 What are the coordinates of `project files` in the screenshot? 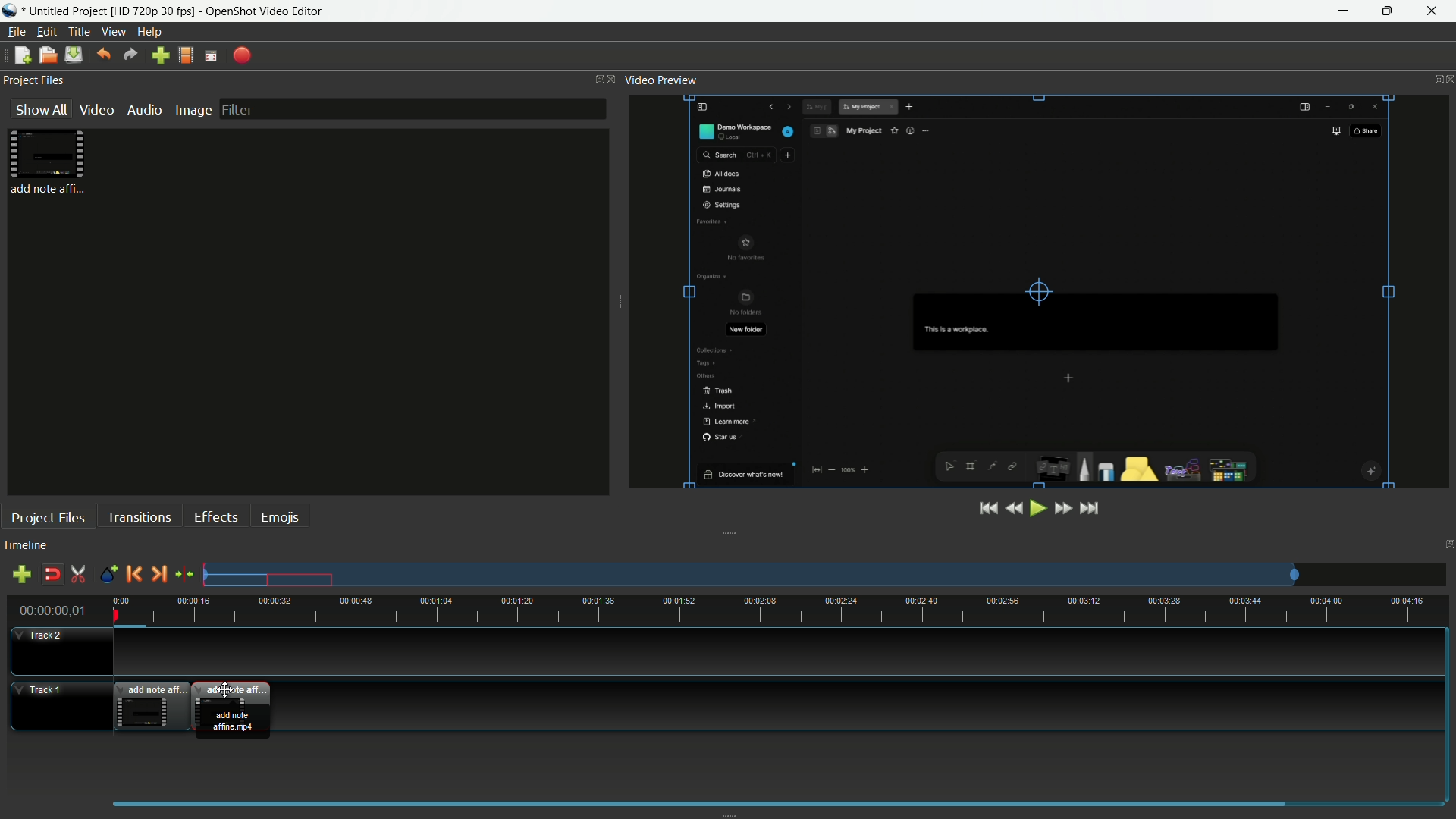 It's located at (34, 80).